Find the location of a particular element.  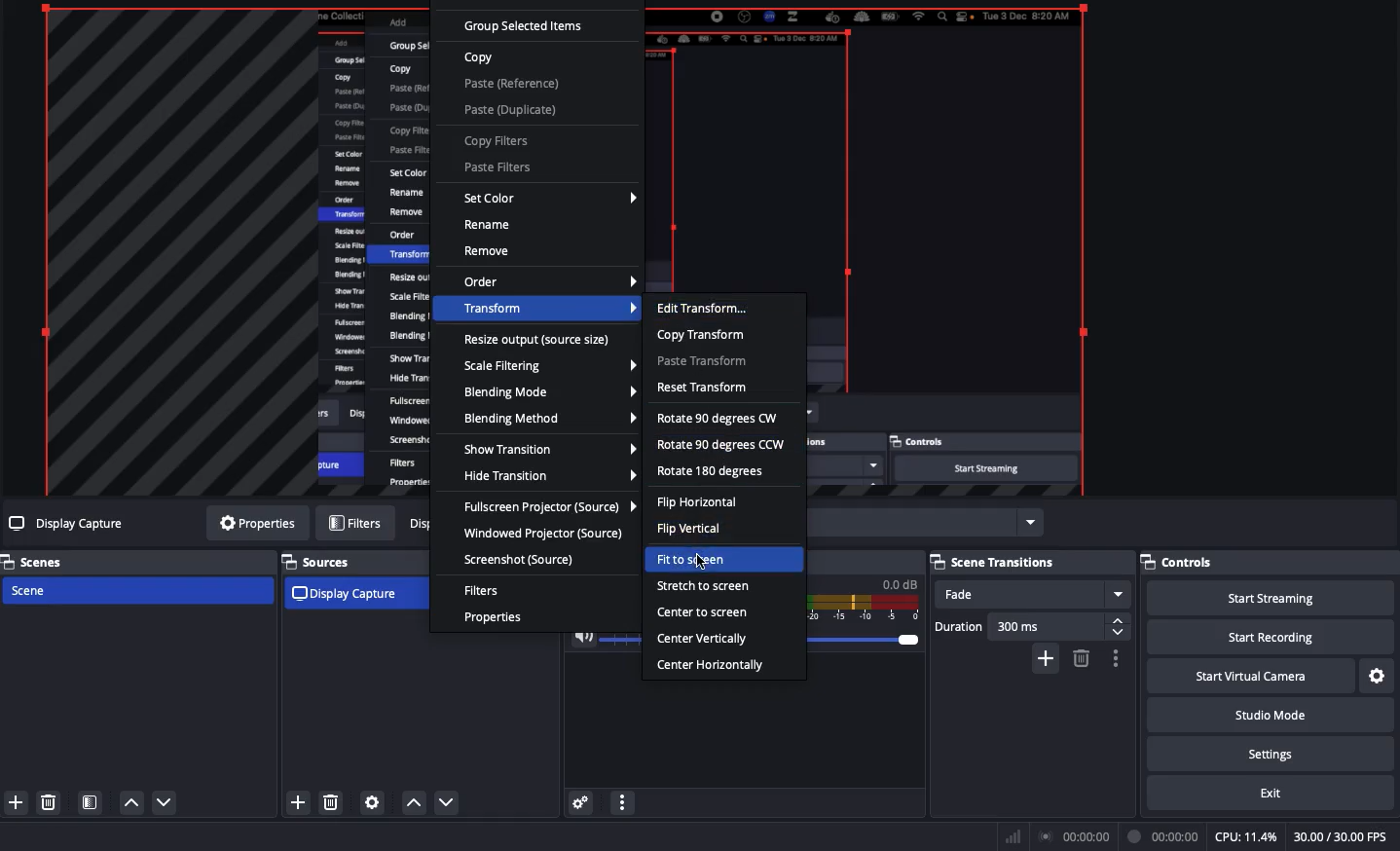

Scale filtering is located at coordinates (550, 368).